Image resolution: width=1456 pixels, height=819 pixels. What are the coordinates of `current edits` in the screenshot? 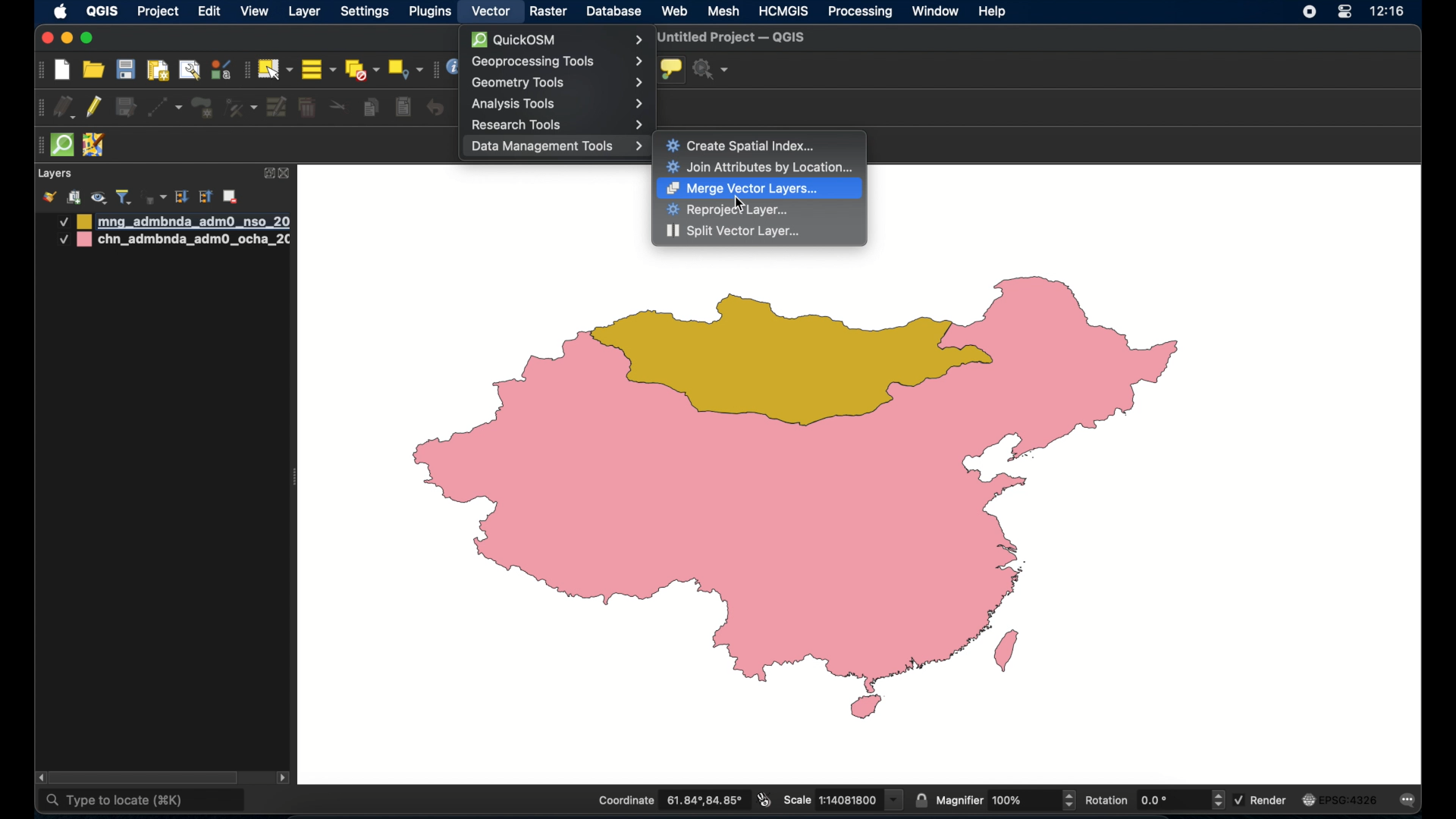 It's located at (66, 109).